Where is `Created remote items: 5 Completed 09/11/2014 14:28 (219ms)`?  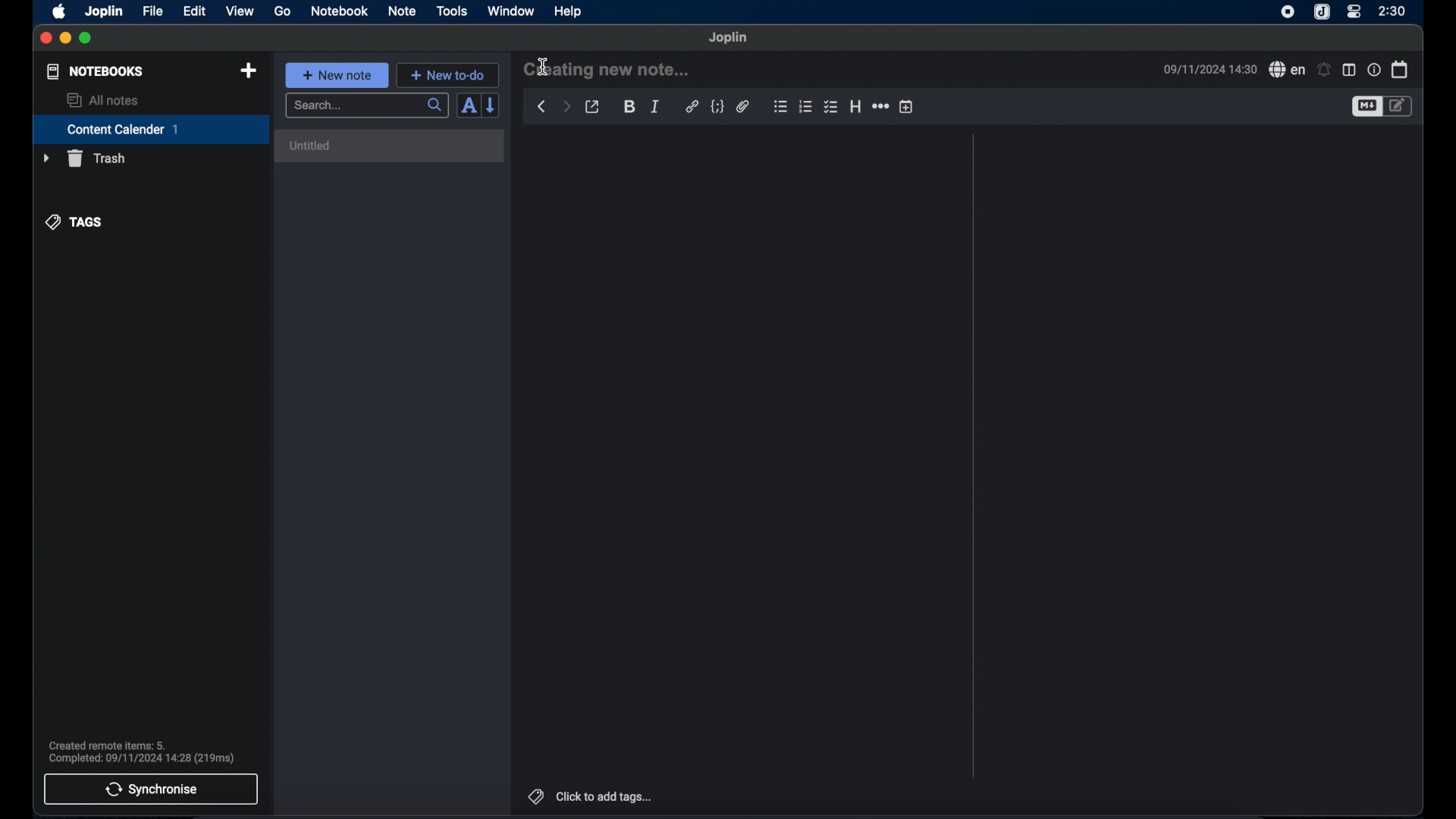 Created remote items: 5 Completed 09/11/2014 14:28 (219ms) is located at coordinates (143, 750).